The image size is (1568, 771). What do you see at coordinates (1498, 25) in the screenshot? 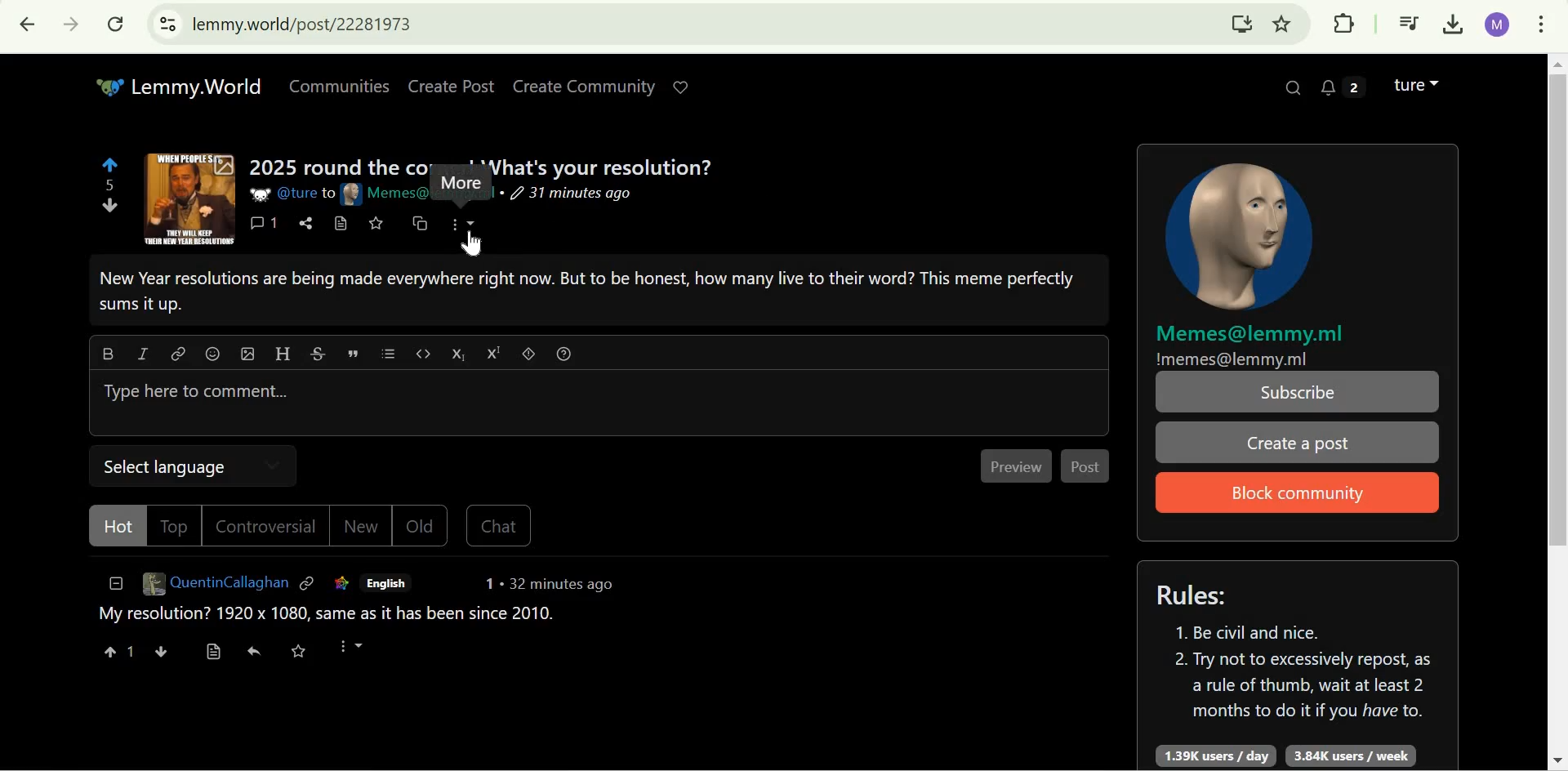
I see `Google account` at bounding box center [1498, 25].